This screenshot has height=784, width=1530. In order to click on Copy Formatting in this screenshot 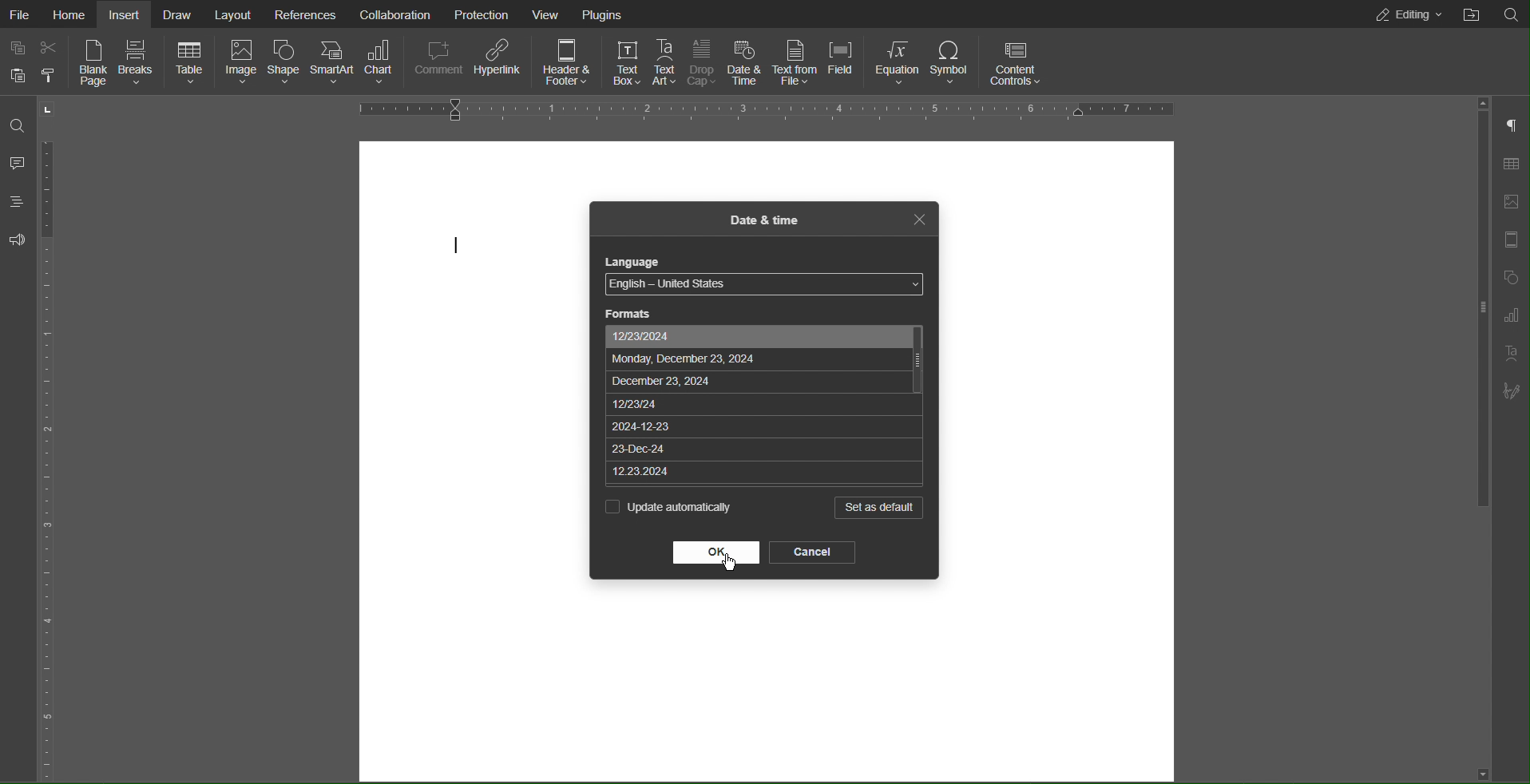, I will do `click(47, 77)`.